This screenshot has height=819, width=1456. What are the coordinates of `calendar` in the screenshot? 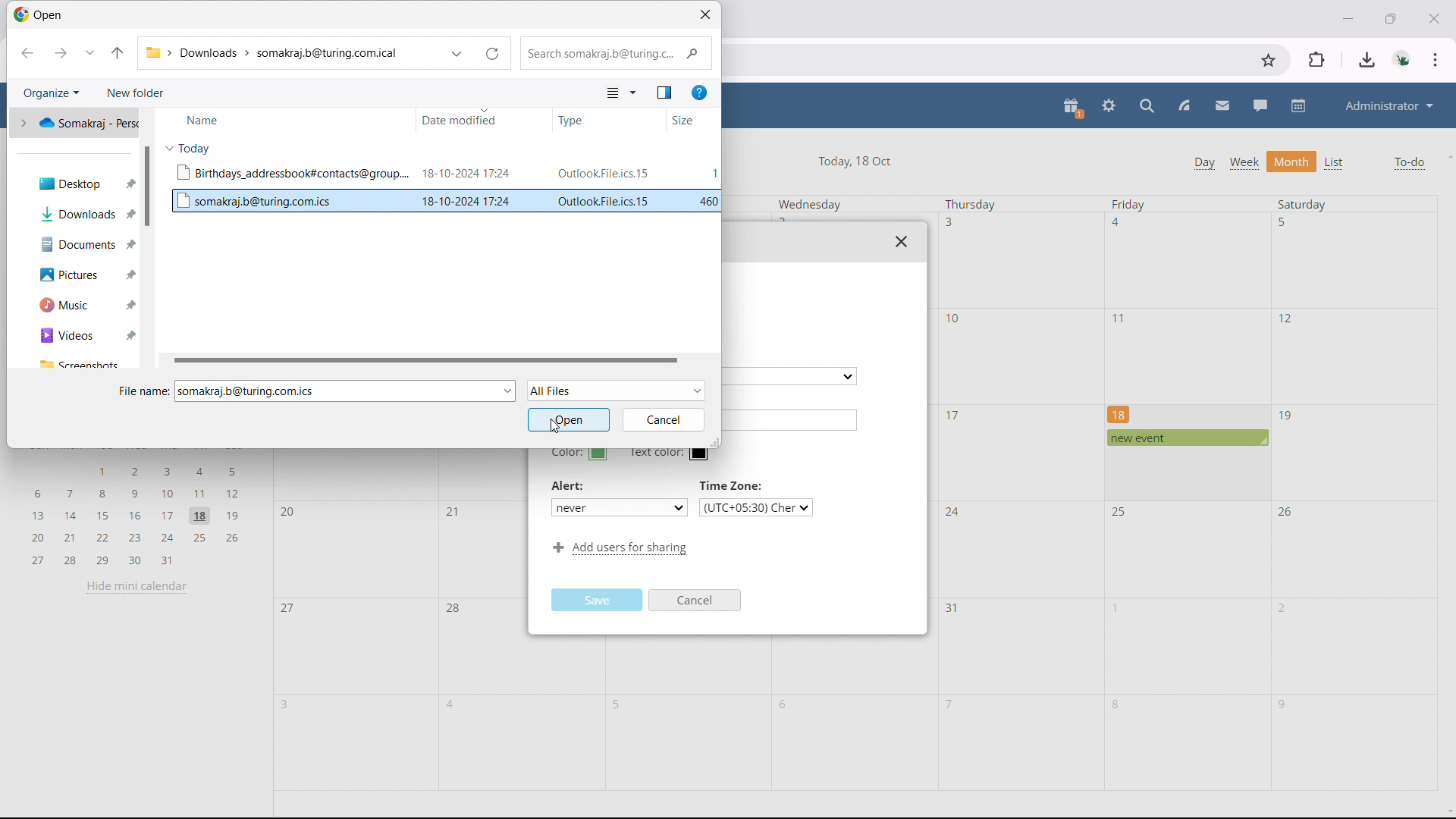 It's located at (1300, 105).